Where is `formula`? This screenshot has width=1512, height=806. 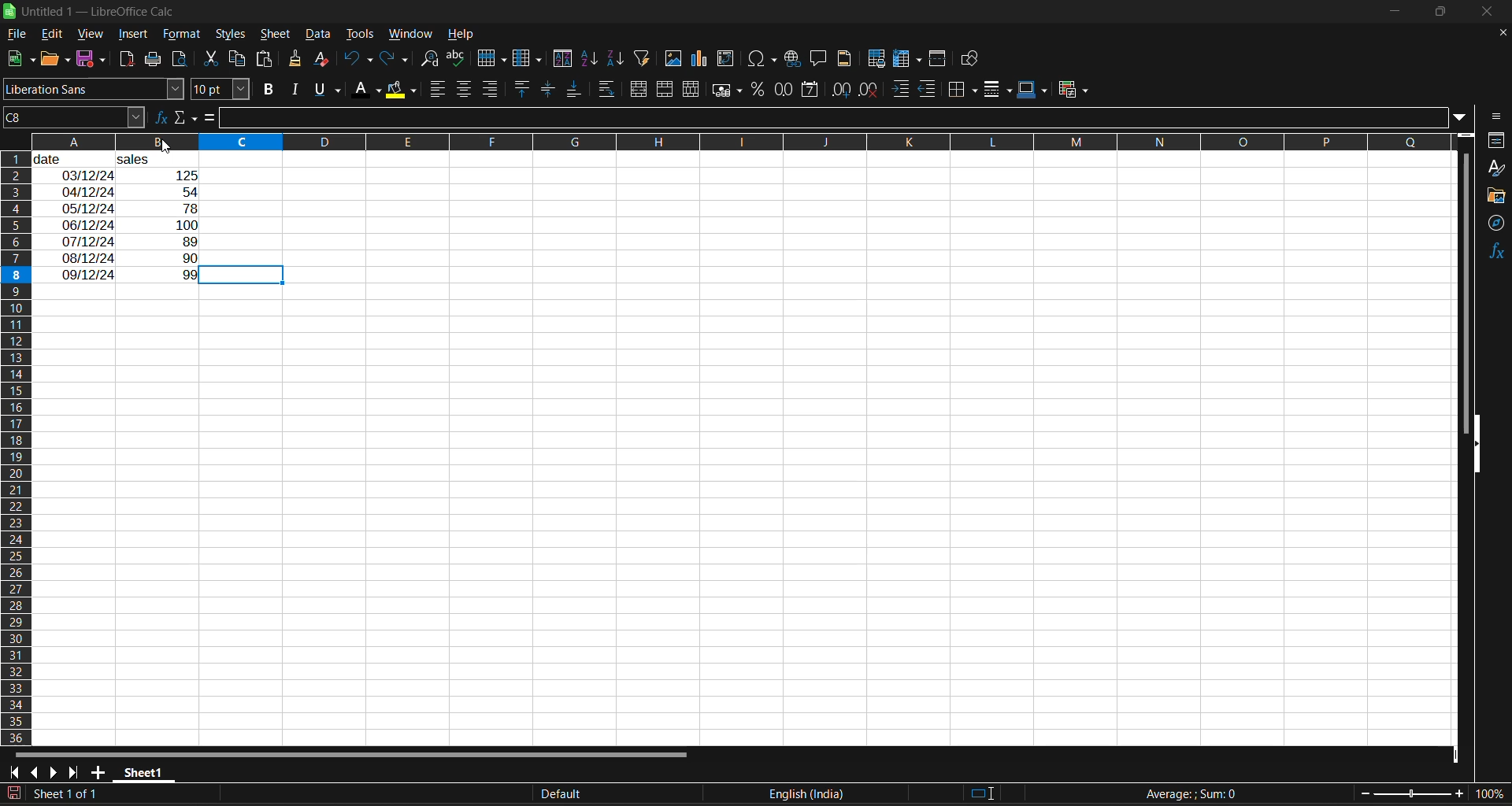
formula is located at coordinates (1191, 793).